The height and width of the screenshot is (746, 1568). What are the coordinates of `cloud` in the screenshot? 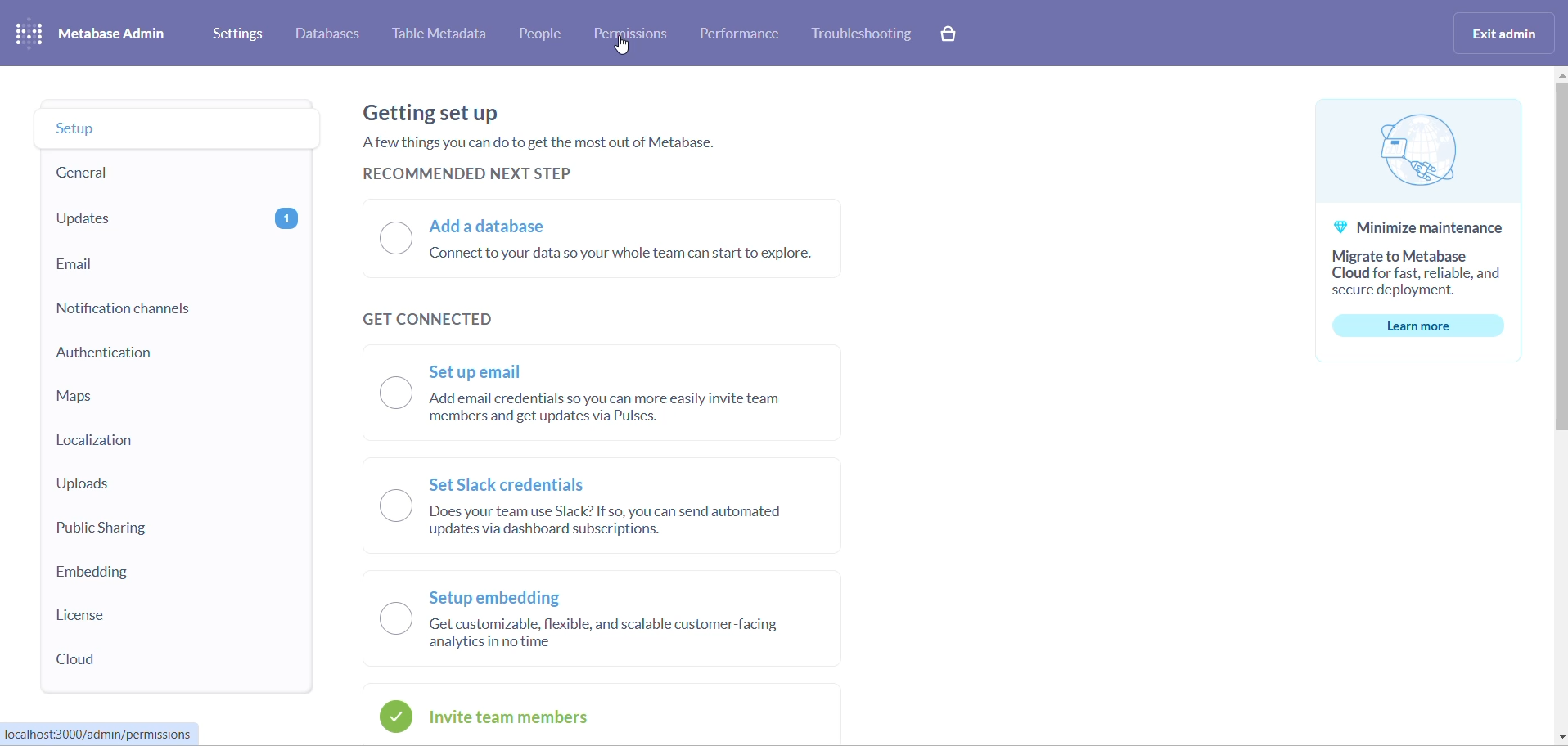 It's located at (127, 662).